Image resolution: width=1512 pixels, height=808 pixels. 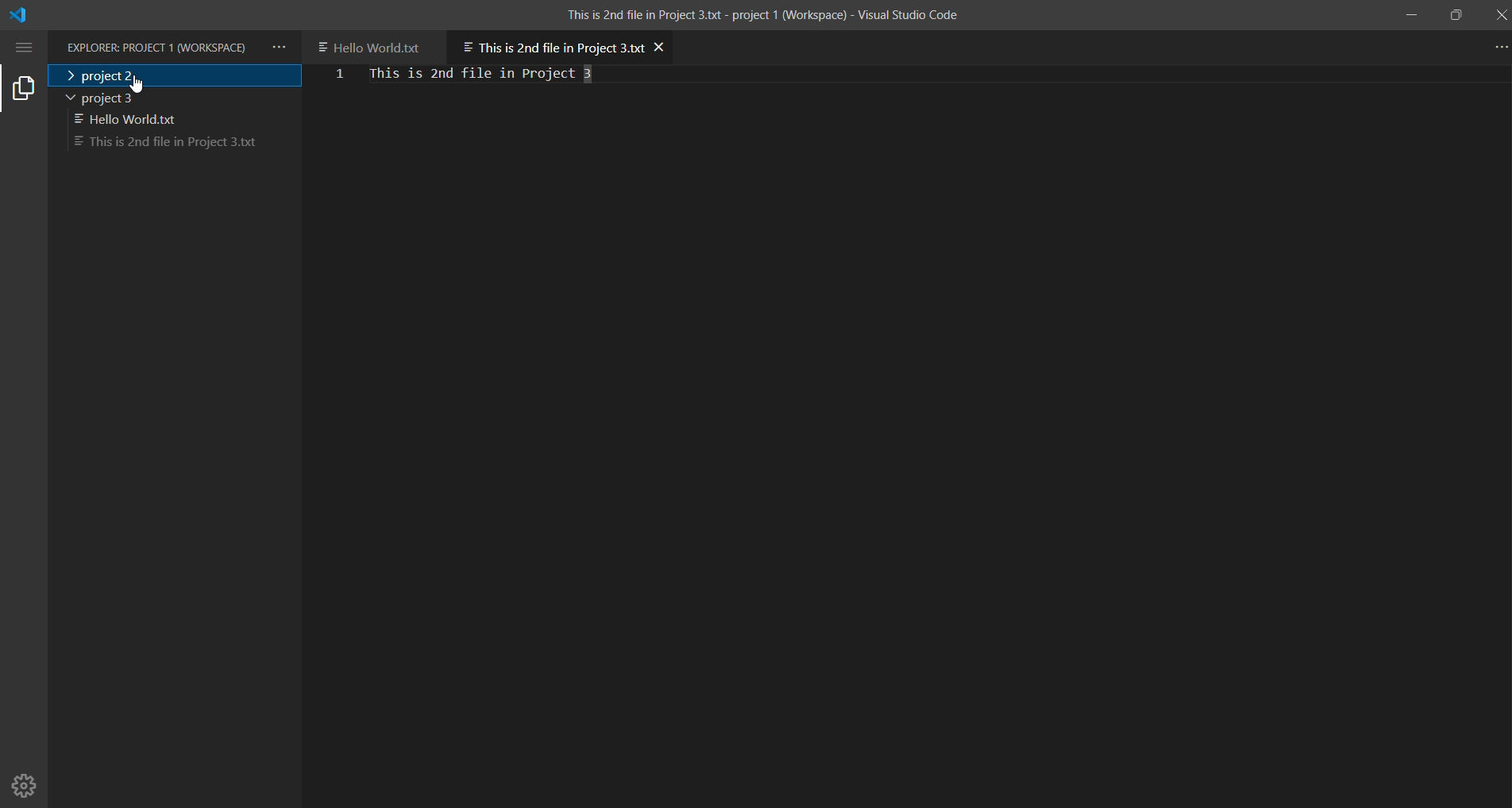 What do you see at coordinates (137, 79) in the screenshot?
I see `cursor` at bounding box center [137, 79].